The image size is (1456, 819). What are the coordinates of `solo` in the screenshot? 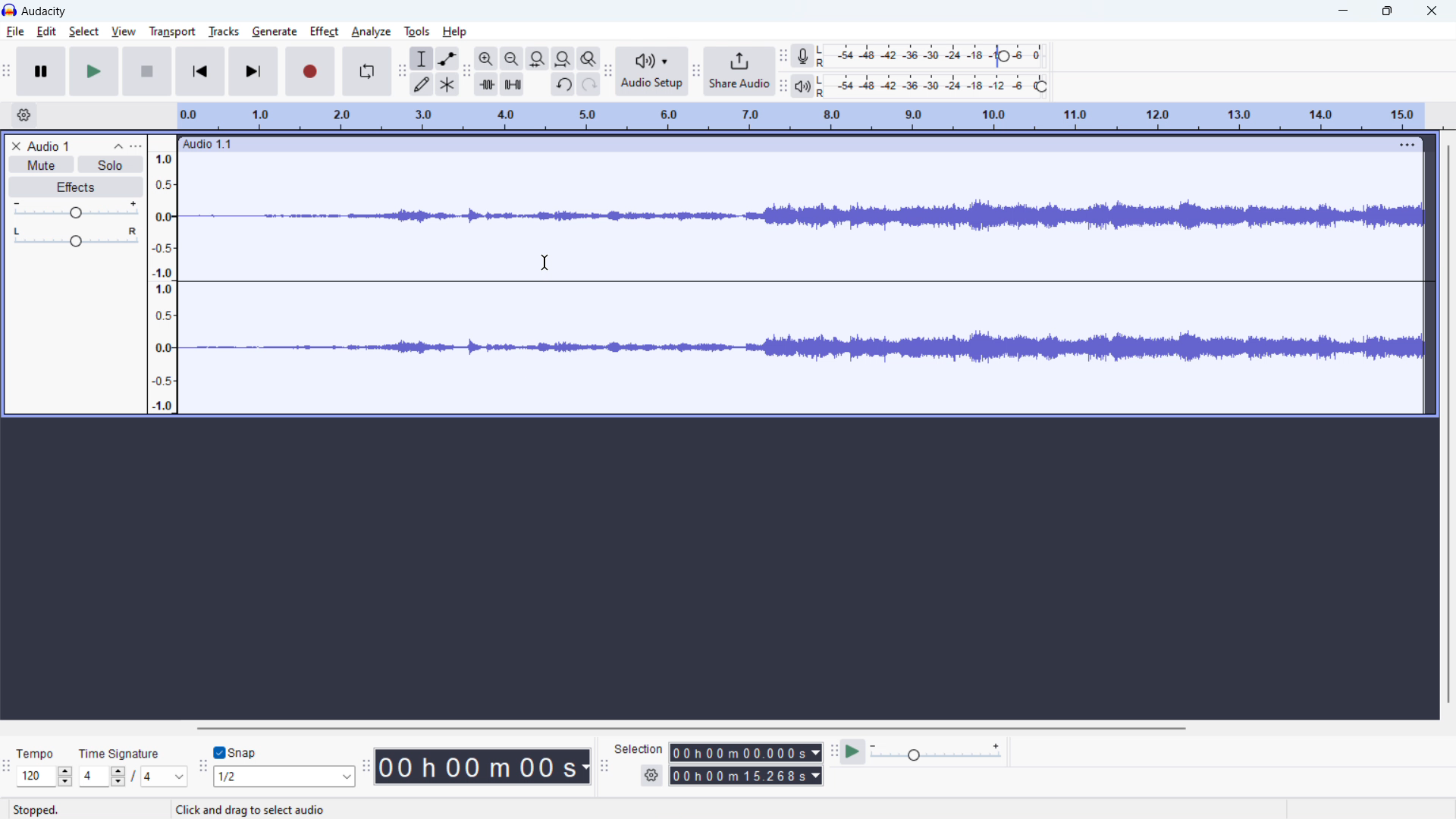 It's located at (111, 165).